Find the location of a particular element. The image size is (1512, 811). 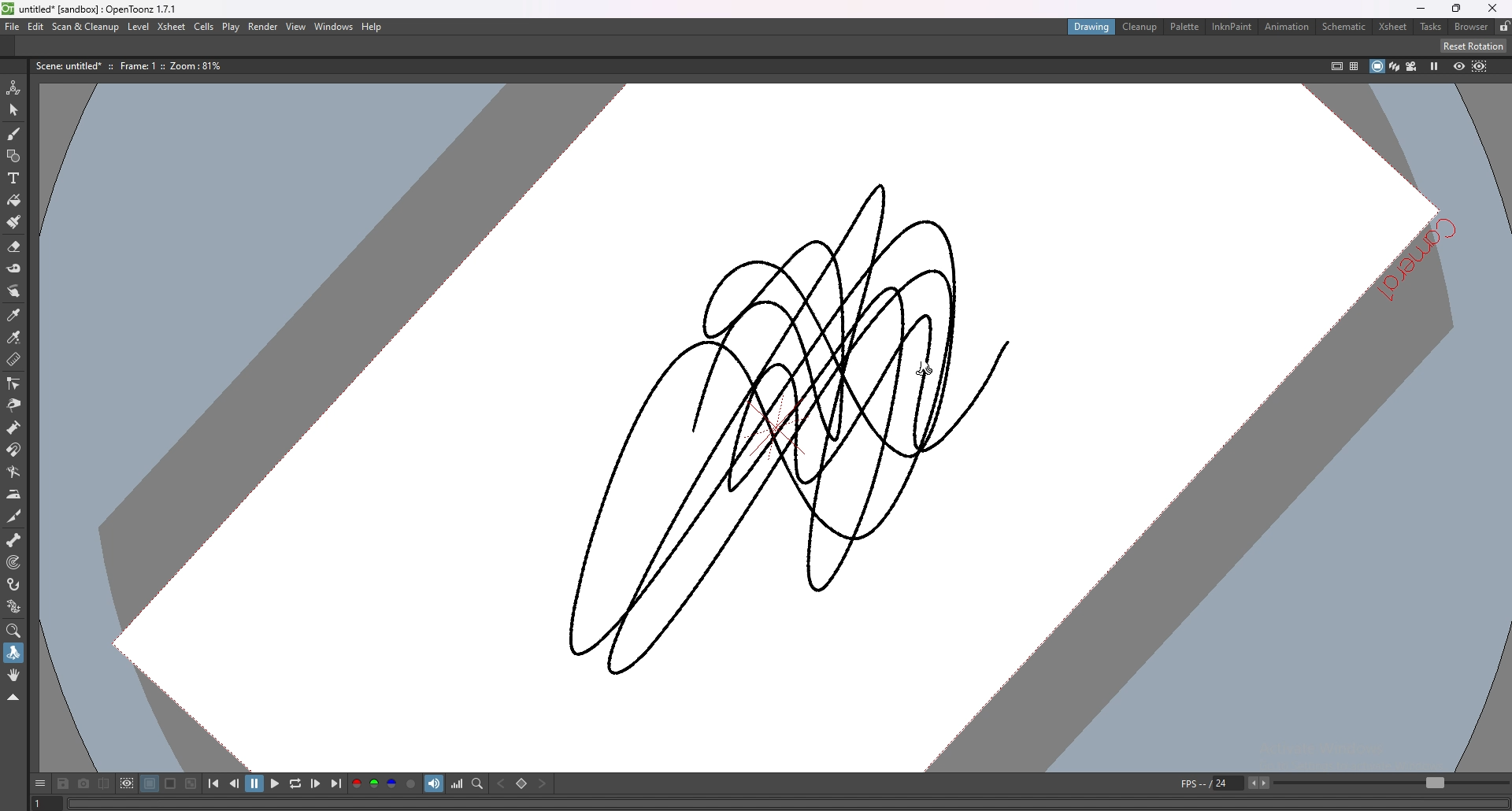

selection tool is located at coordinates (13, 110).